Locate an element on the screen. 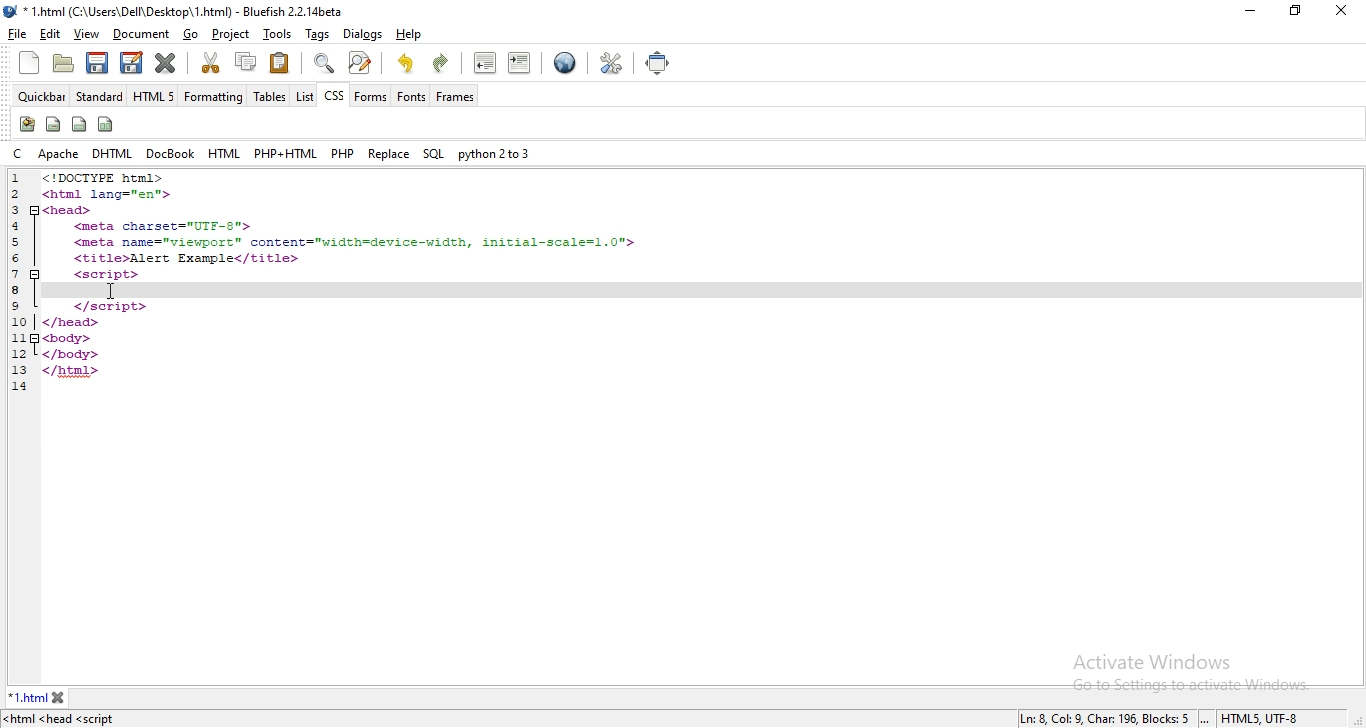 The height and width of the screenshot is (728, 1366). view in browser is located at coordinates (566, 64).